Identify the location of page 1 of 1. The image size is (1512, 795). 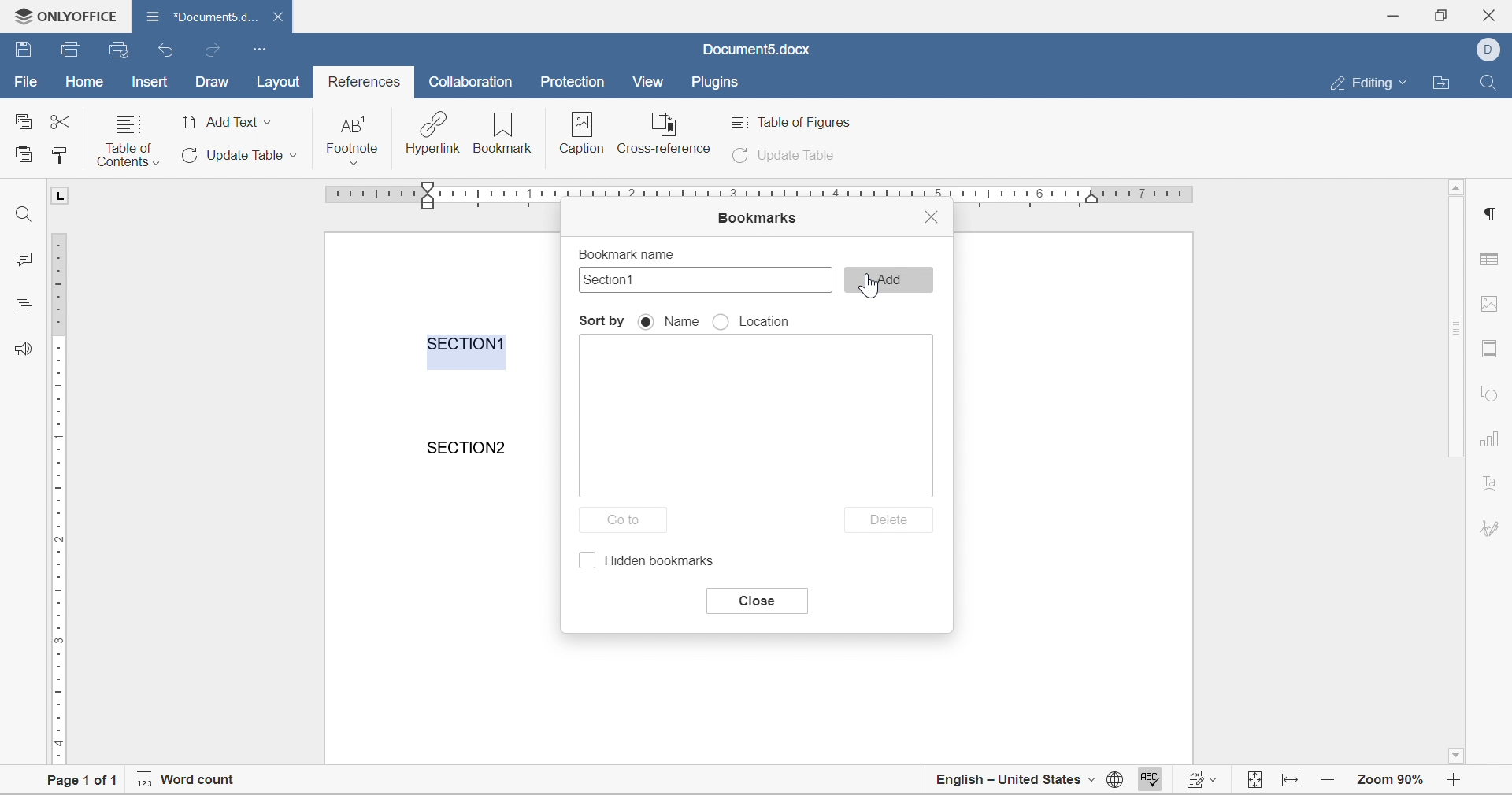
(76, 782).